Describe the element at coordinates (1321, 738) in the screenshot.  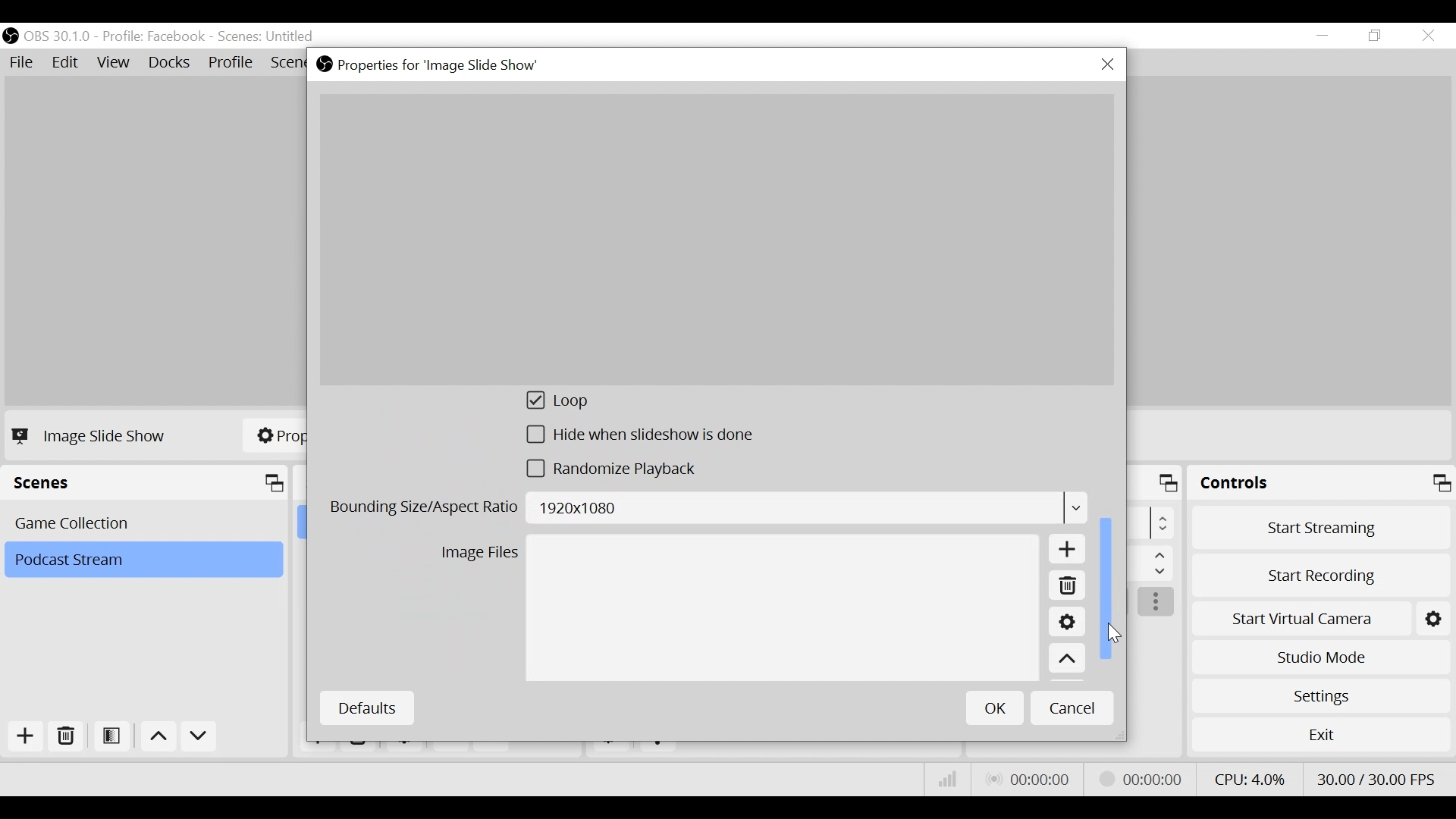
I see `Exit` at that location.